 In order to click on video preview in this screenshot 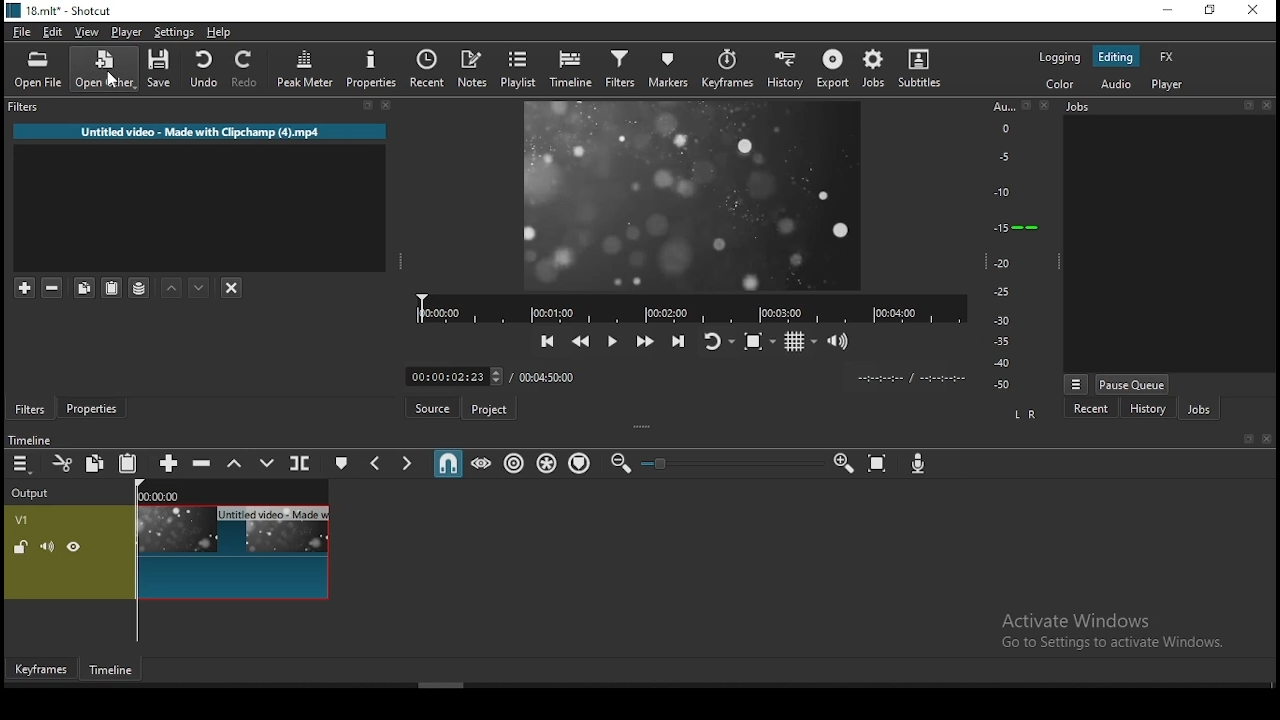, I will do `click(700, 198)`.